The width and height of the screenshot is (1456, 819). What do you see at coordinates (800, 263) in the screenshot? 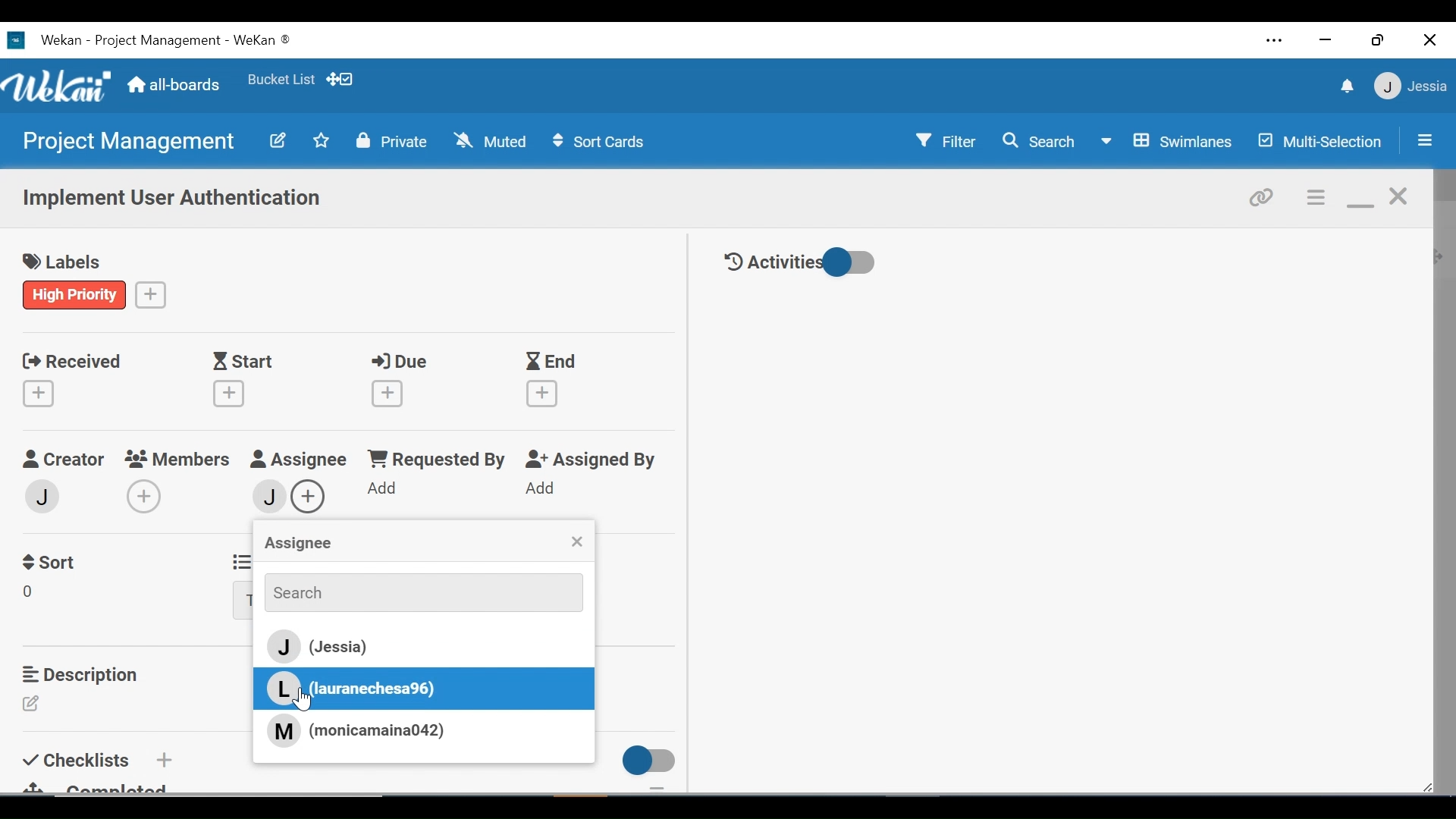
I see `Toggle Activities on/off` at bounding box center [800, 263].